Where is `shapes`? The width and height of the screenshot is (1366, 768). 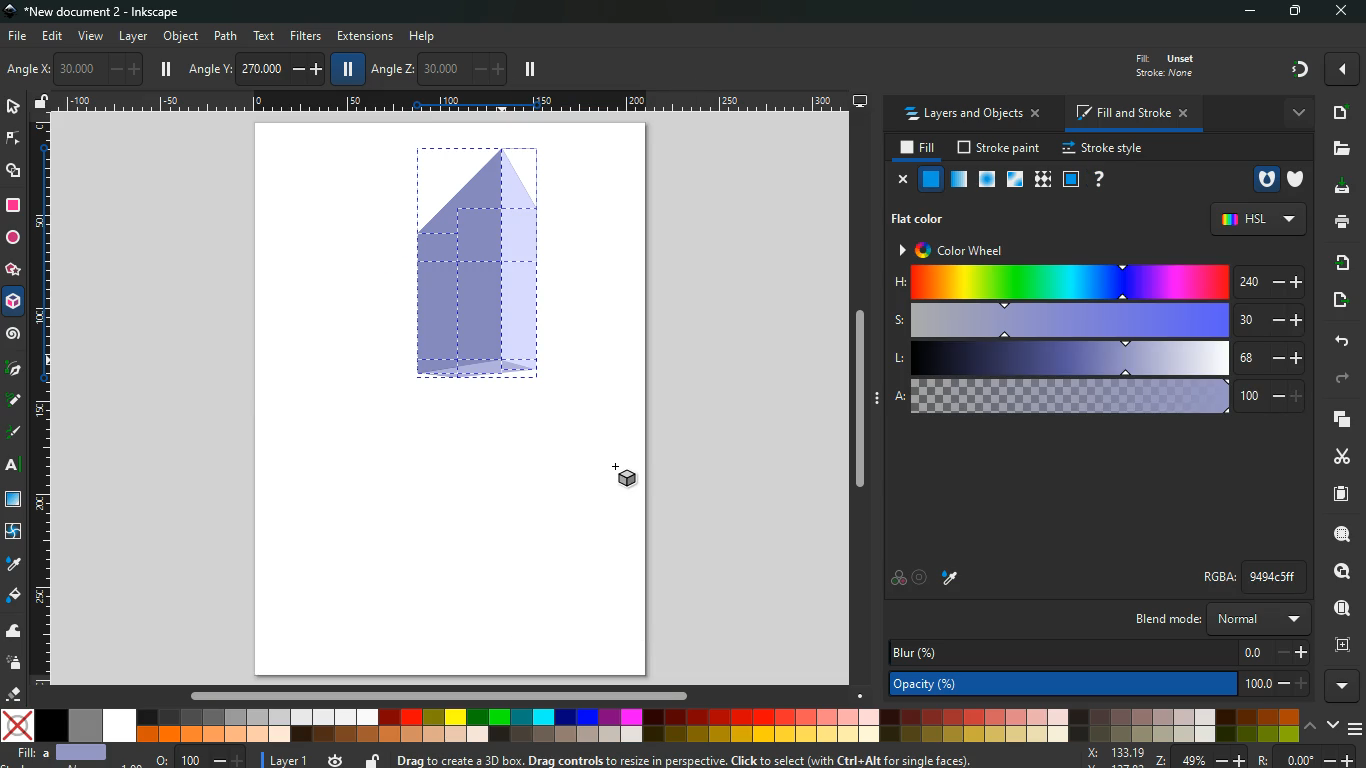
shapes is located at coordinates (14, 171).